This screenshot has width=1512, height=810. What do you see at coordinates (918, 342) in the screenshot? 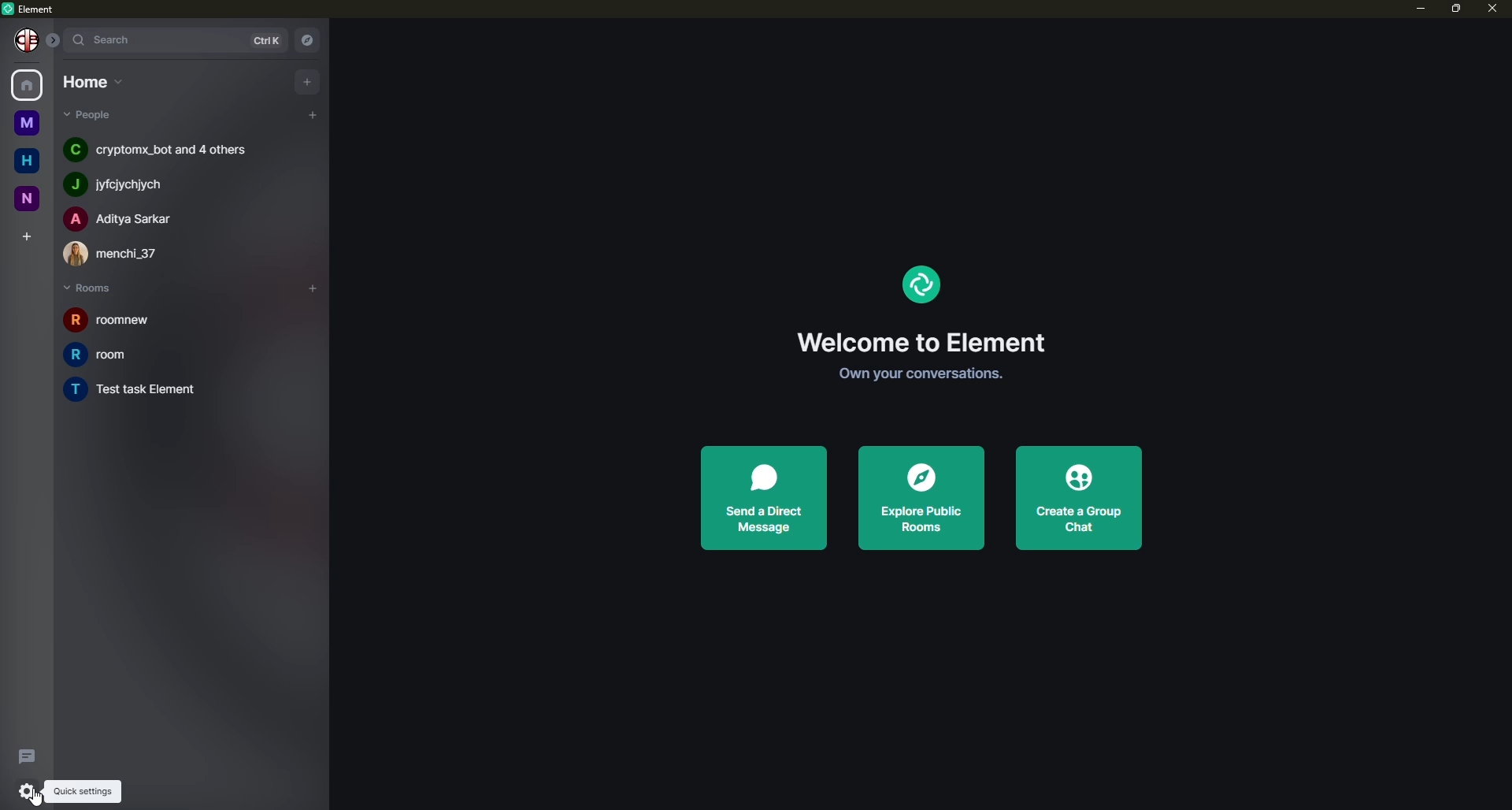
I see `welcome` at bounding box center [918, 342].